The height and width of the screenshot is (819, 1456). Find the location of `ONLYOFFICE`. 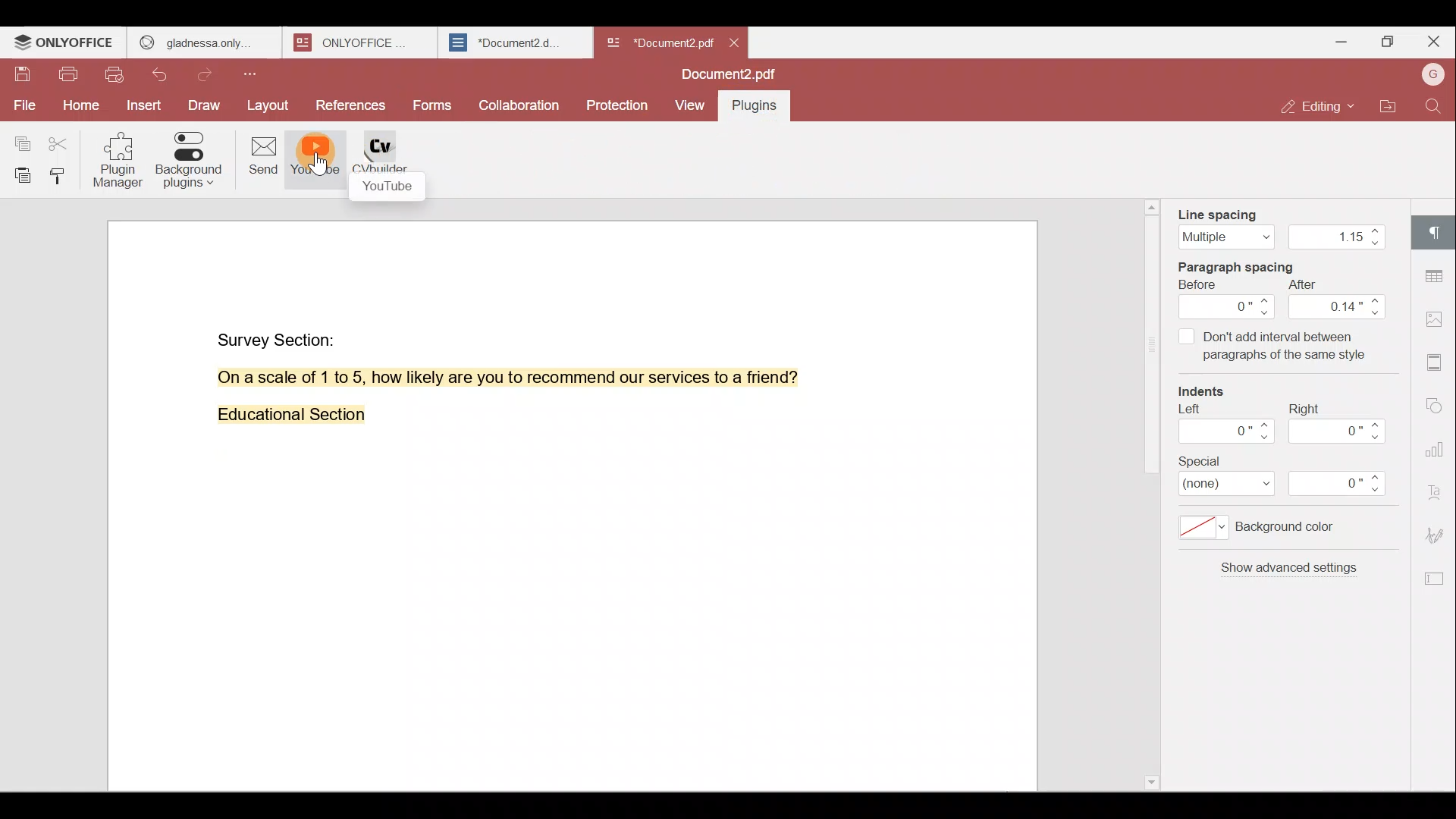

ONLYOFFICE is located at coordinates (362, 42).